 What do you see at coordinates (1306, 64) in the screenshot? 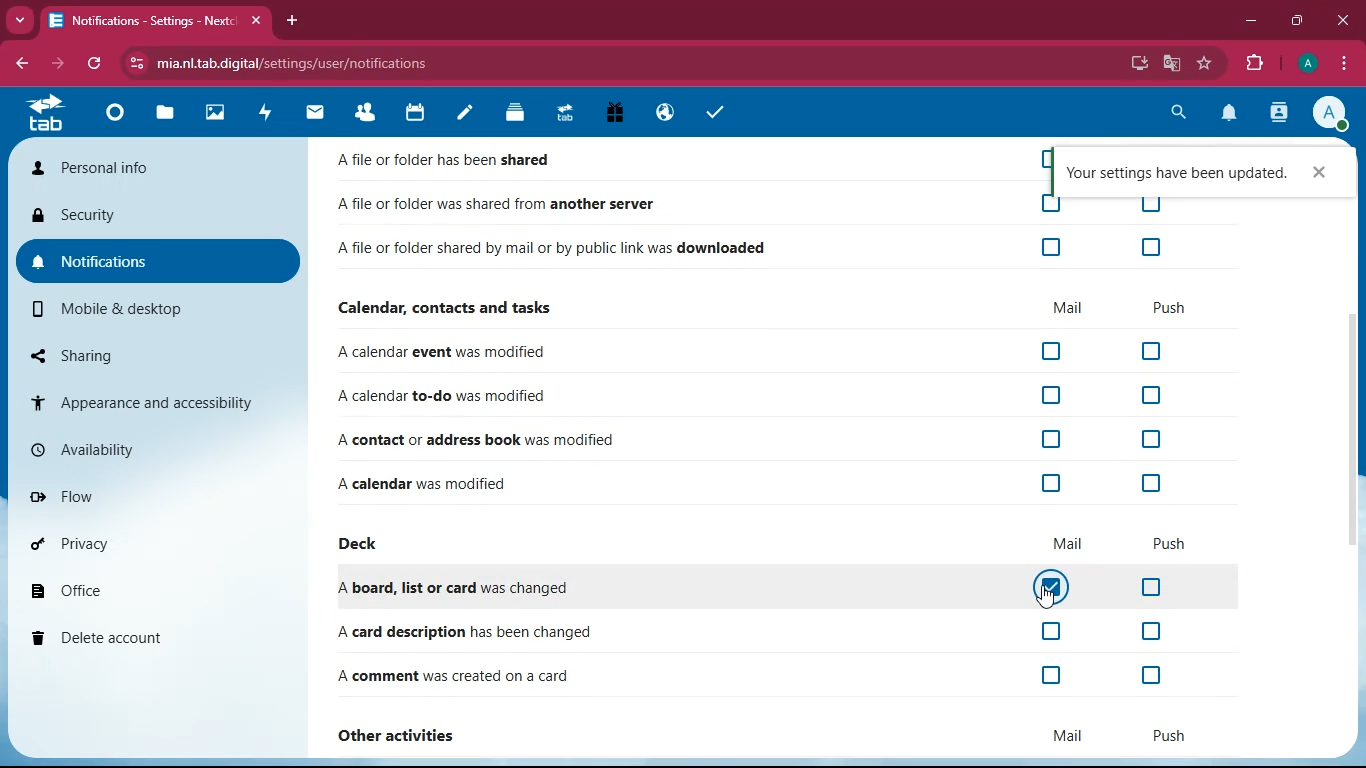
I see `Account` at bounding box center [1306, 64].